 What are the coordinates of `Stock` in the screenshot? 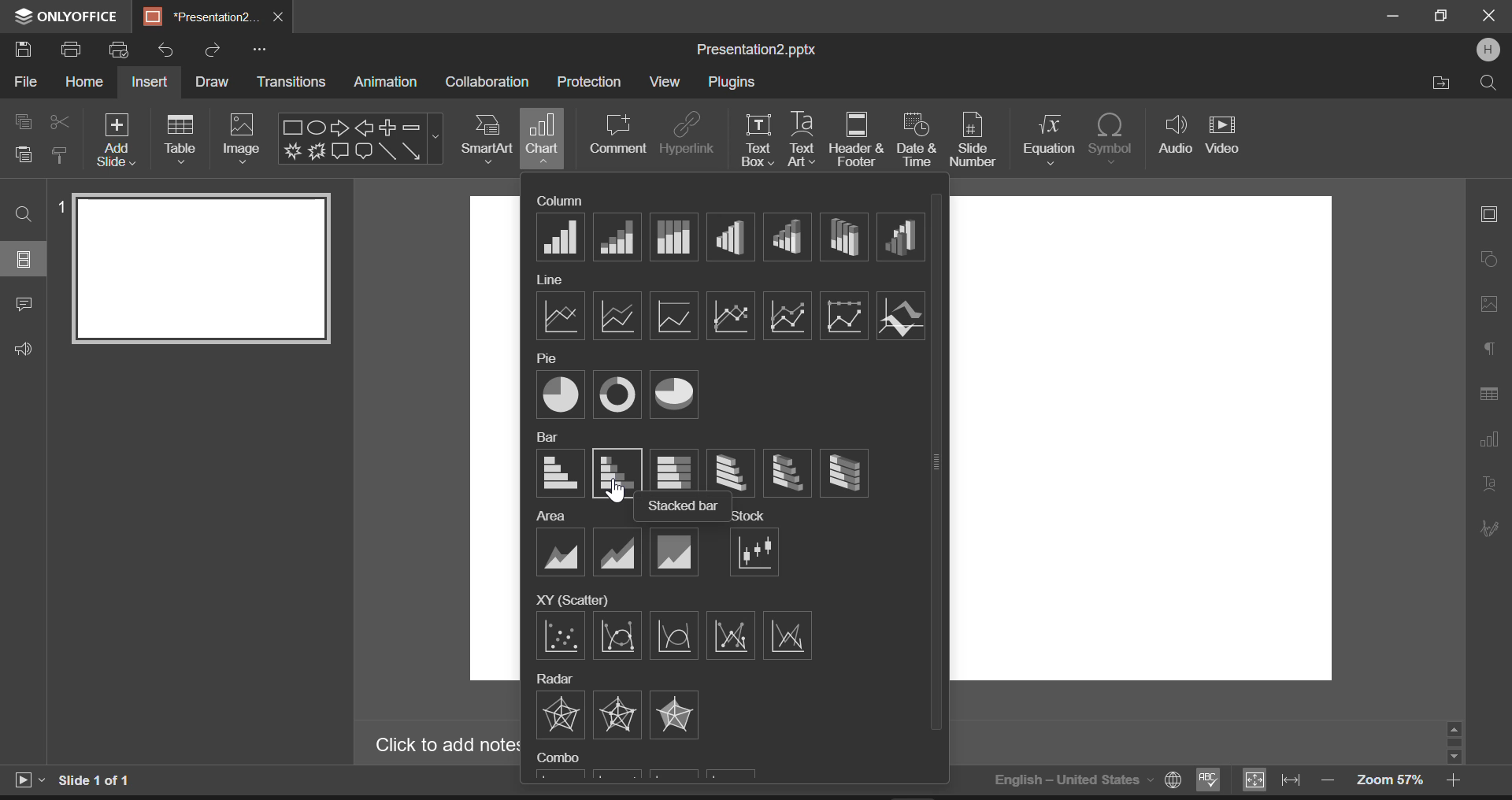 It's located at (748, 516).